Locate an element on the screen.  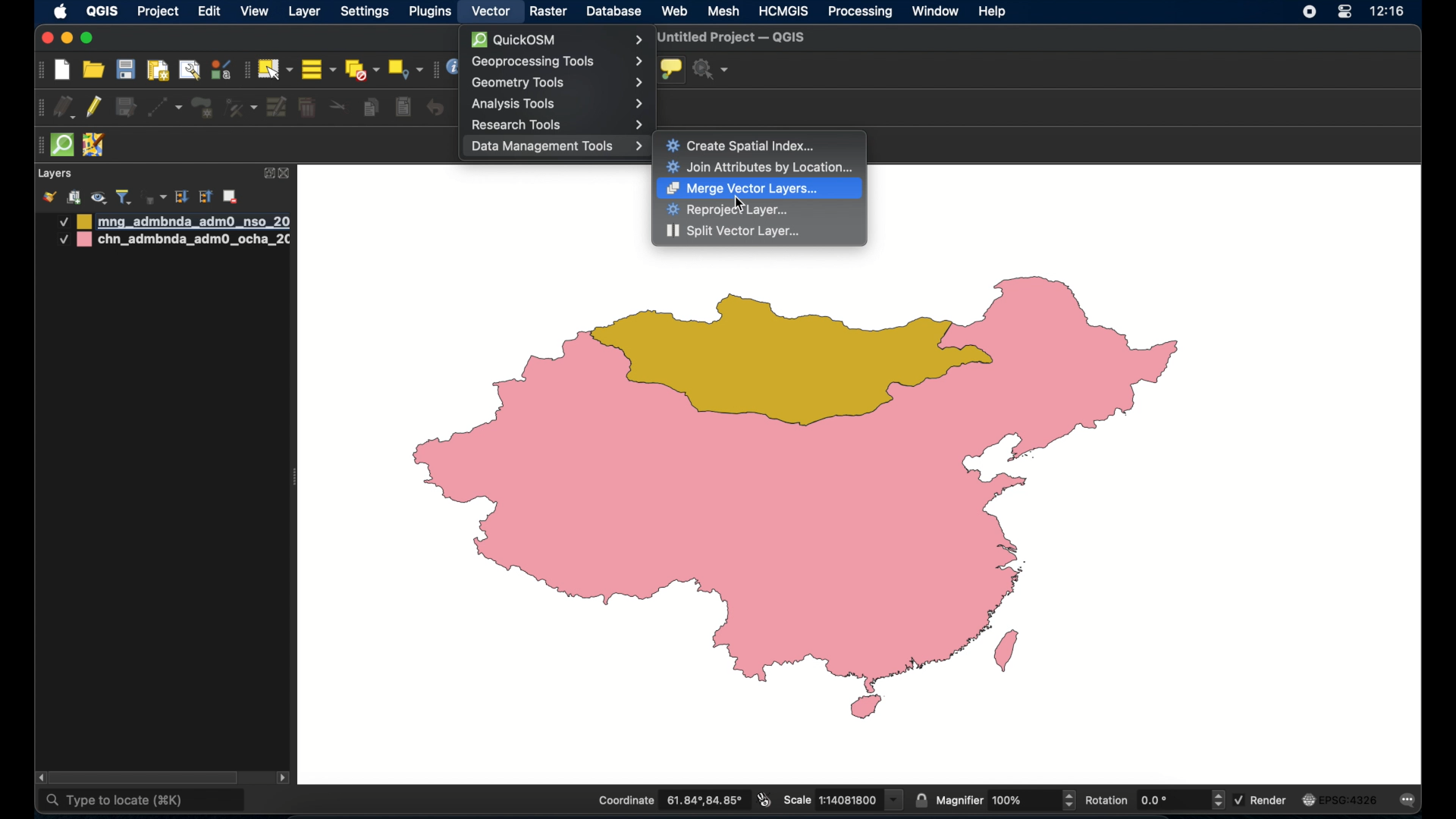
ventor data of Mongolia and china is located at coordinates (814, 498).